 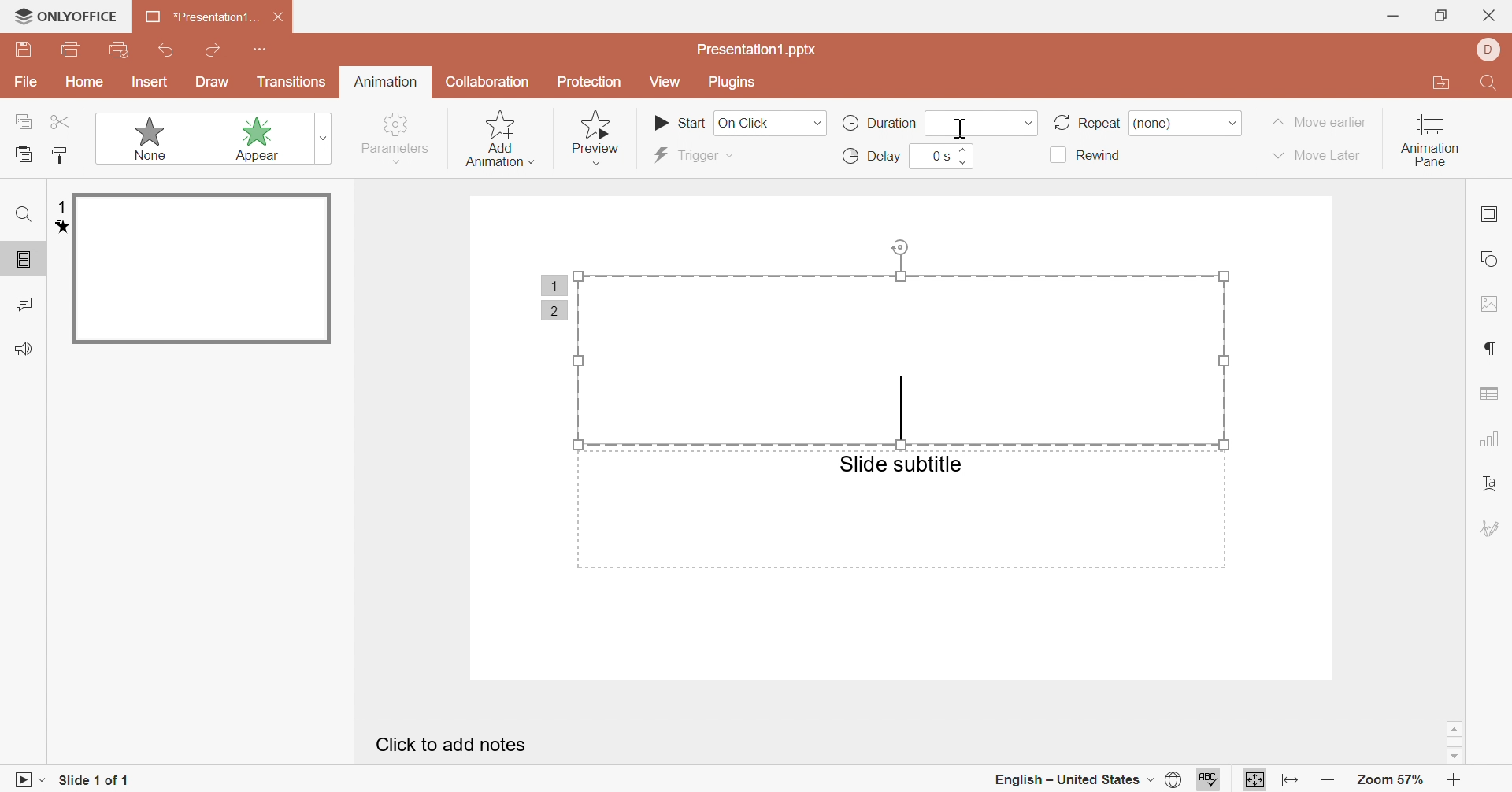 I want to click on zoom out, so click(x=1329, y=781).